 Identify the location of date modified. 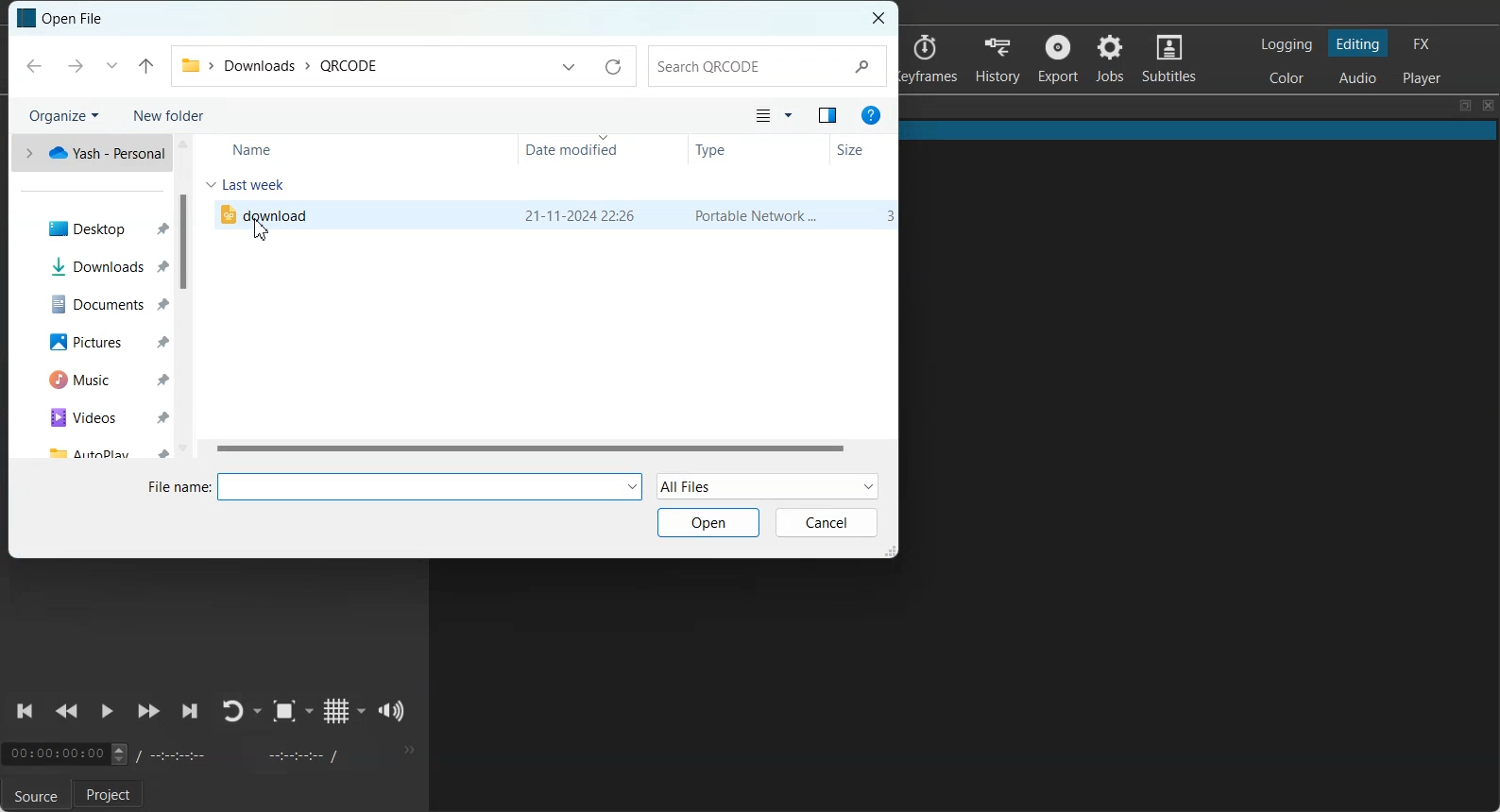
(580, 216).